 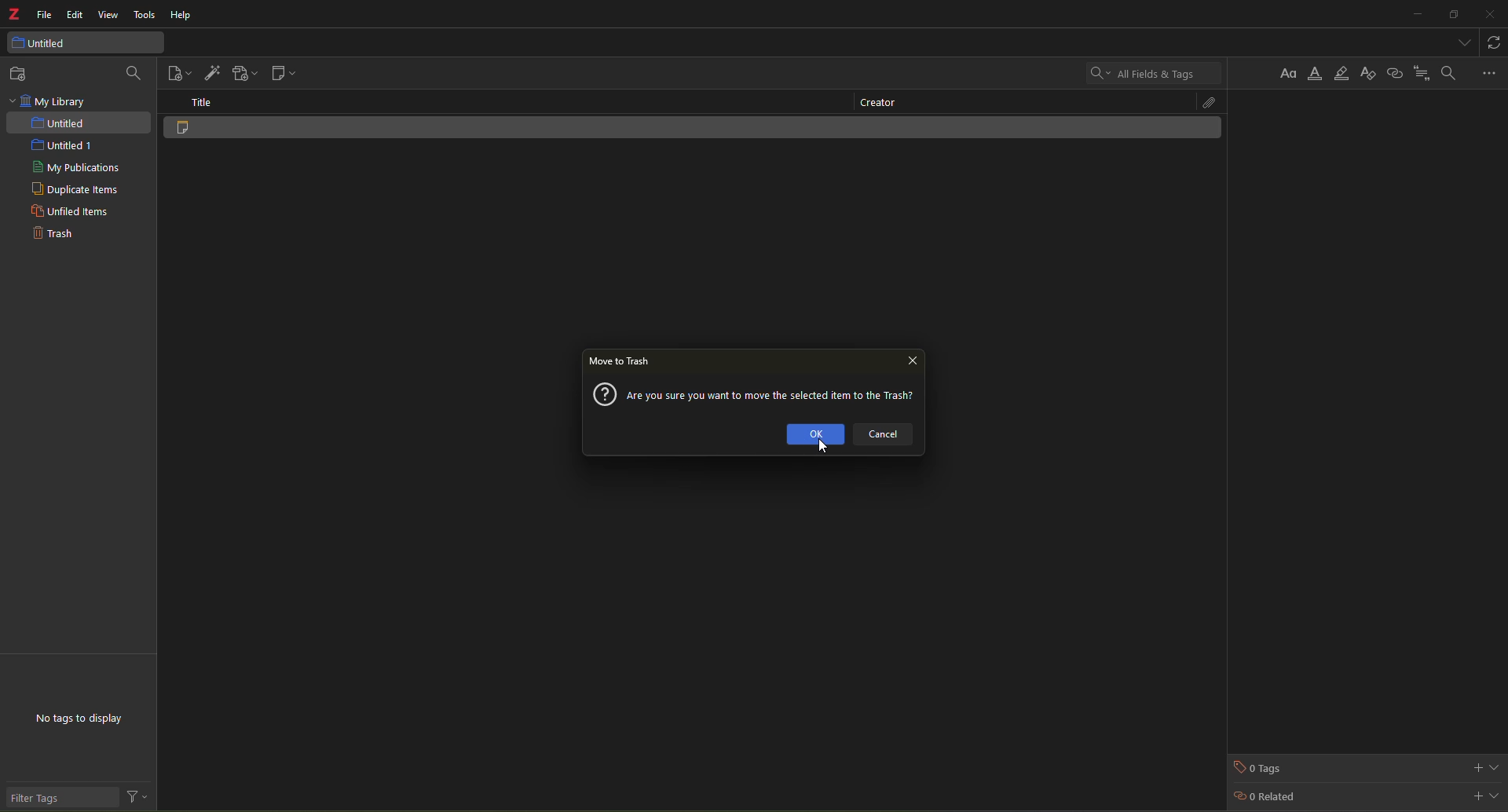 I want to click on search, so click(x=1151, y=73).